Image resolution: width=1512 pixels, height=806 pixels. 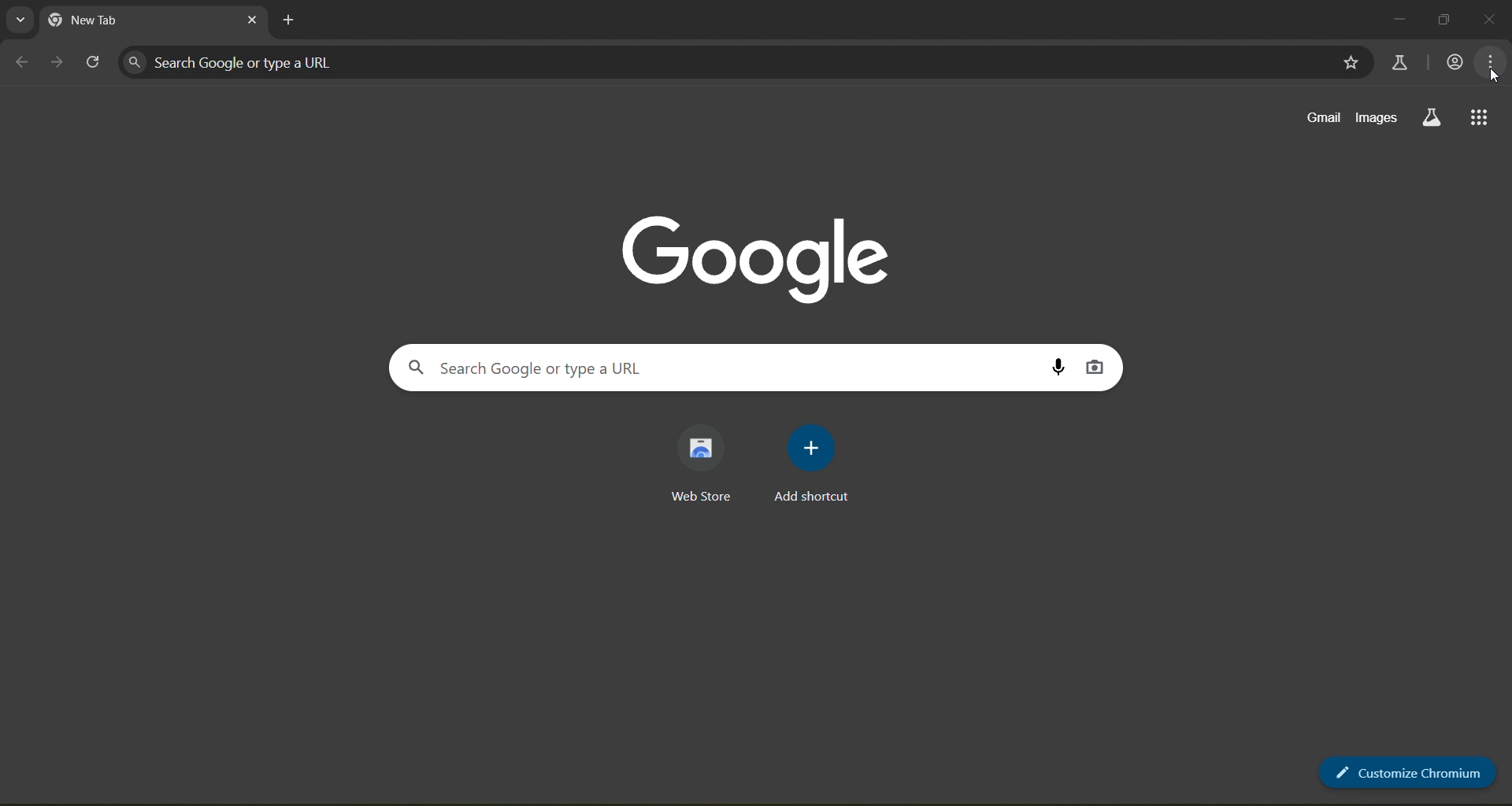 What do you see at coordinates (550, 367) in the screenshot?
I see `search panel` at bounding box center [550, 367].